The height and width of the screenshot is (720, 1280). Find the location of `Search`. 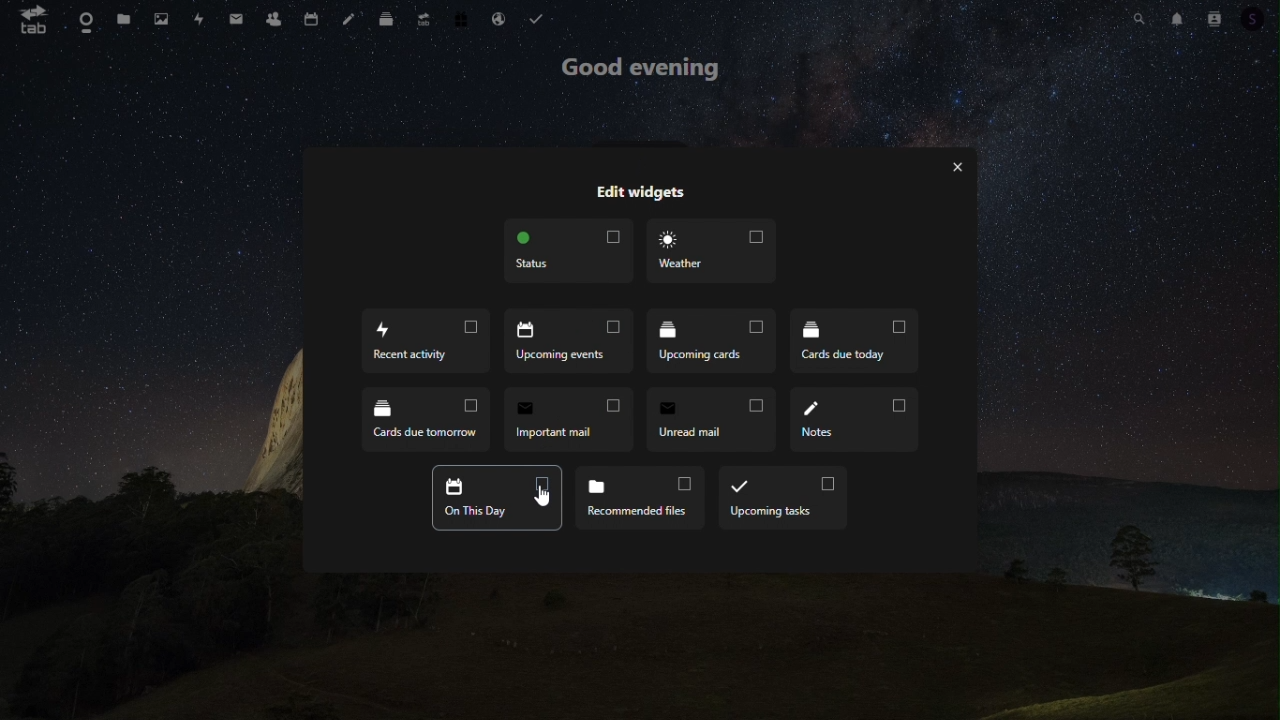

Search is located at coordinates (1143, 16).